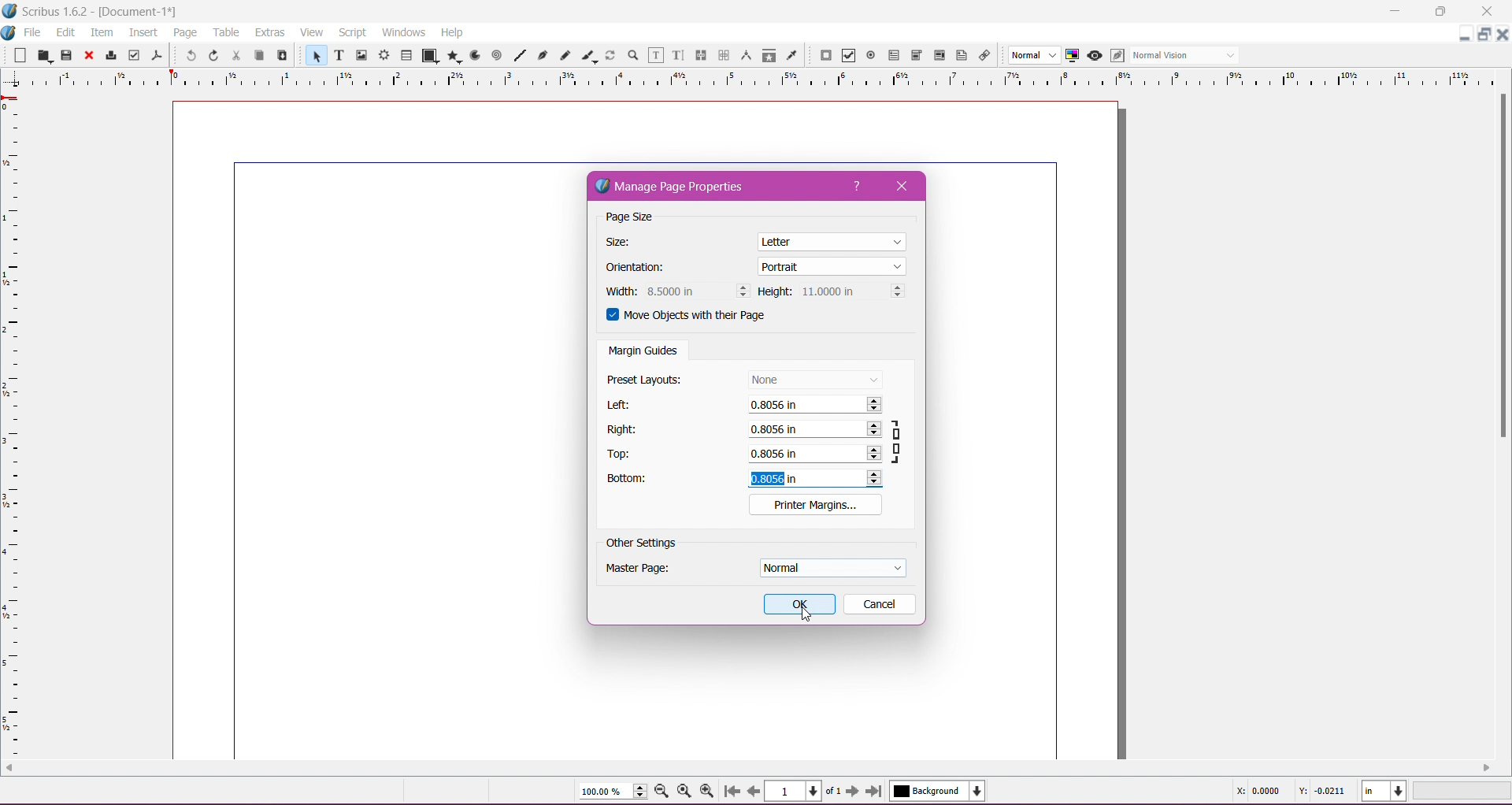 This screenshot has width=1512, height=805. I want to click on Undo, so click(188, 57).